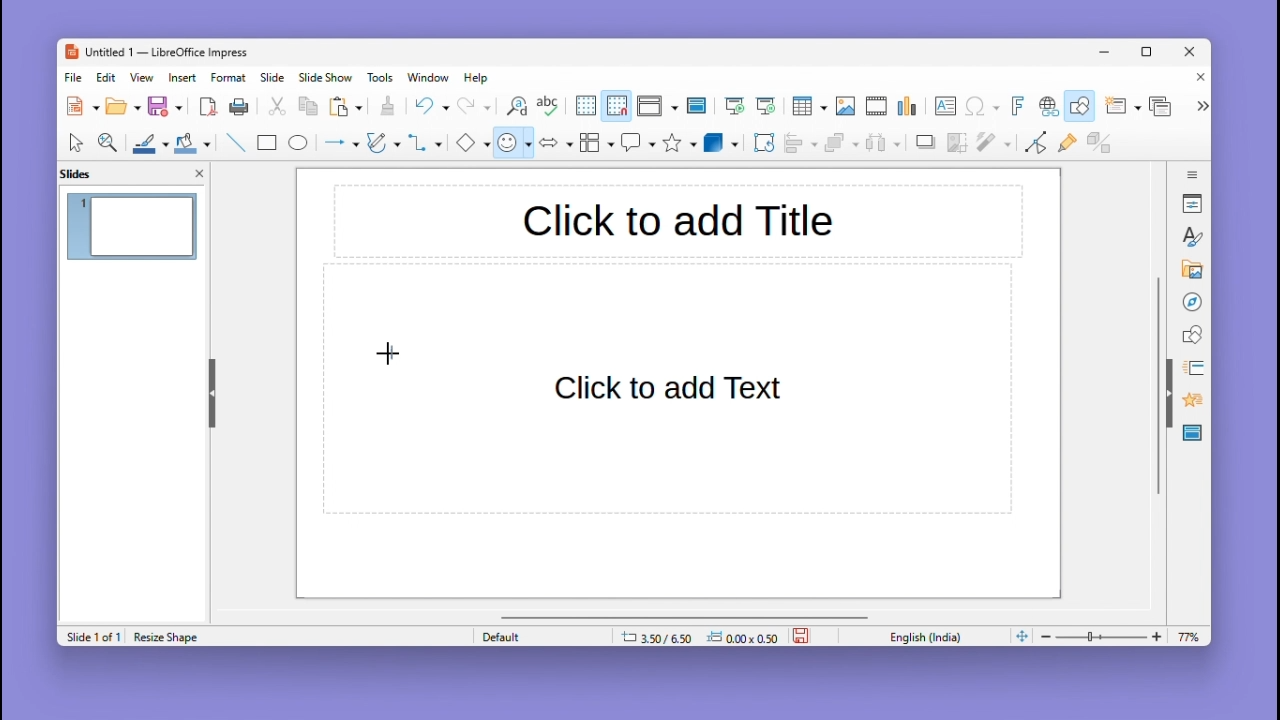 The height and width of the screenshot is (720, 1280). I want to click on Slideshow, so click(327, 78).